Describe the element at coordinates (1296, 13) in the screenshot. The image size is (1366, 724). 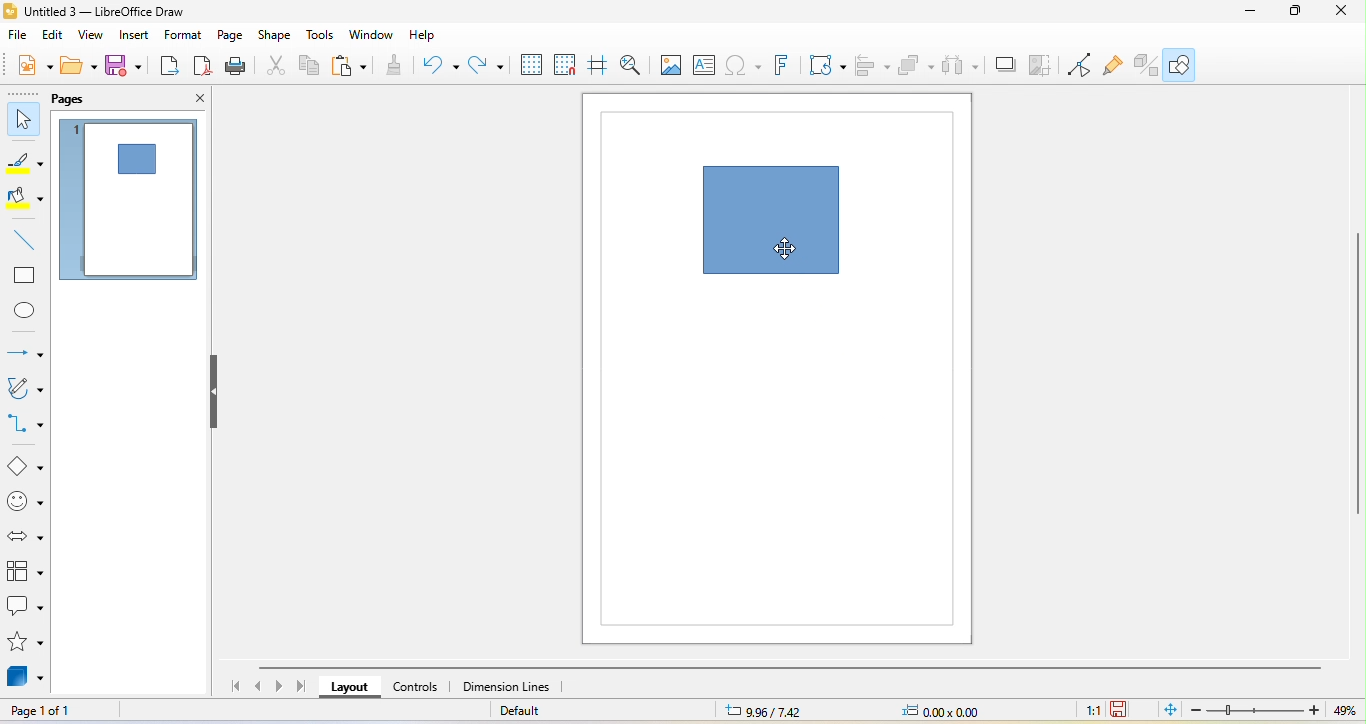
I see `maximize` at that location.